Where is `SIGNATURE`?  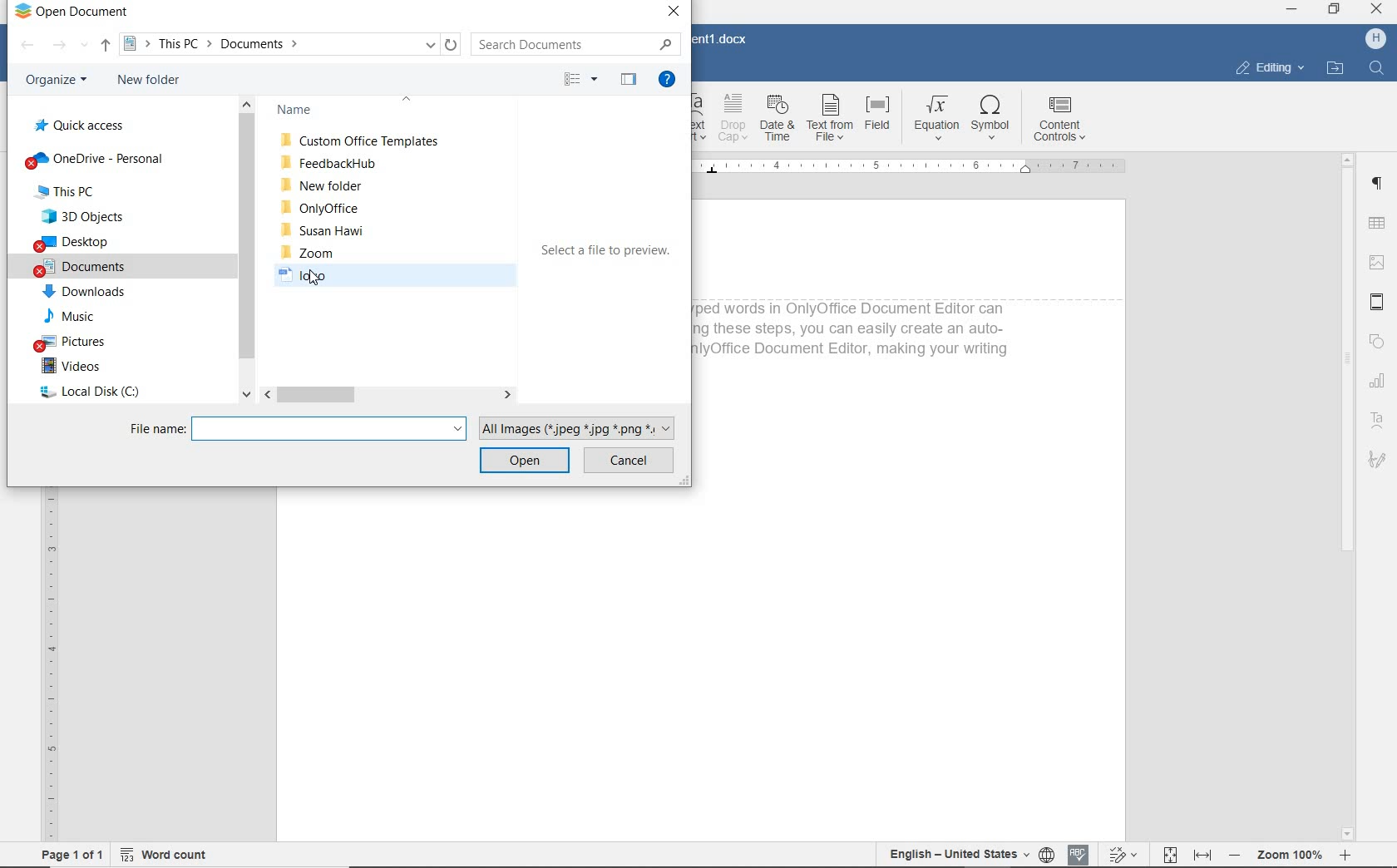
SIGNATURE is located at coordinates (1379, 462).